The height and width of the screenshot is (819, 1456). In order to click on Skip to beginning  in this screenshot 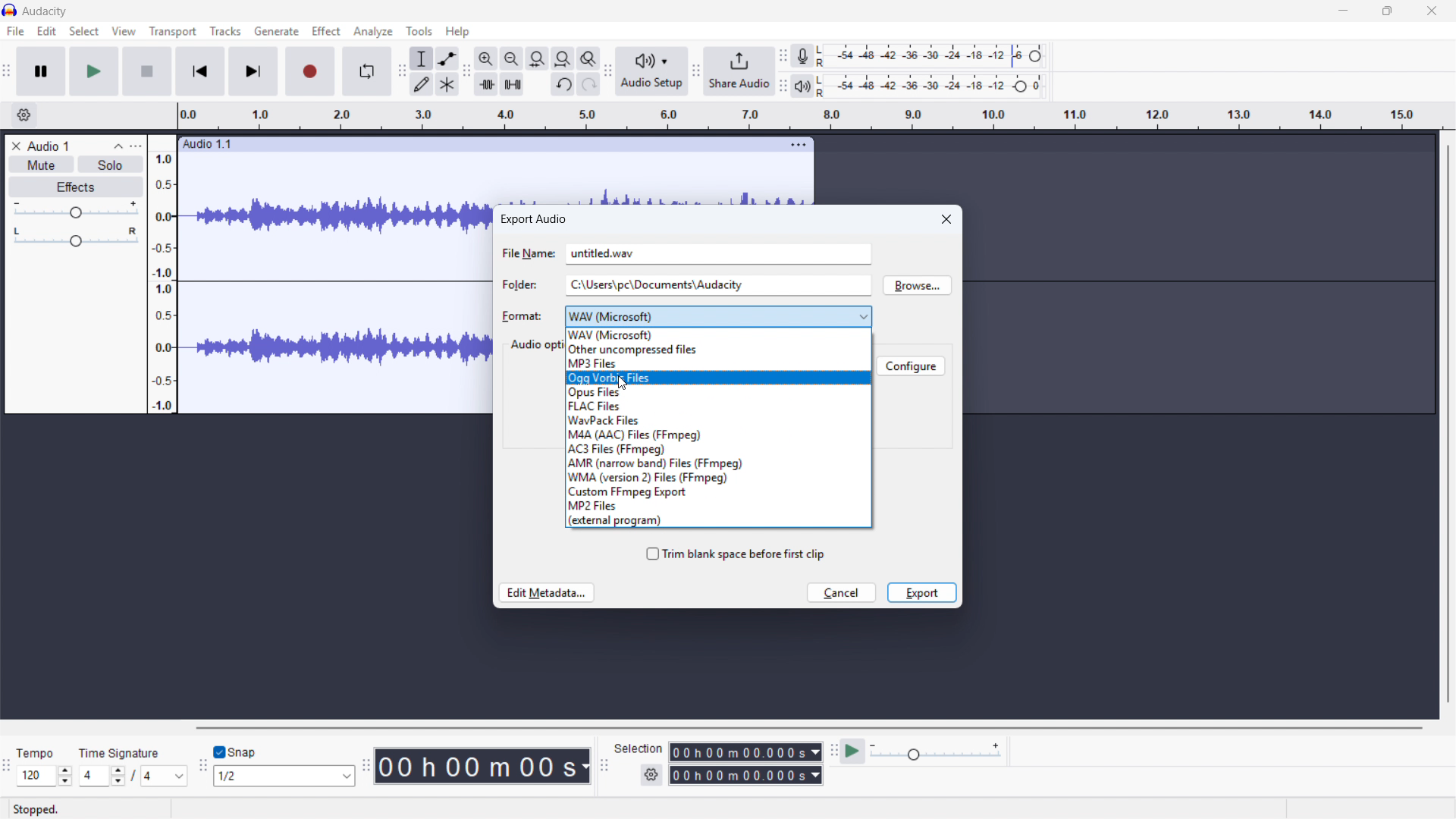, I will do `click(200, 71)`.